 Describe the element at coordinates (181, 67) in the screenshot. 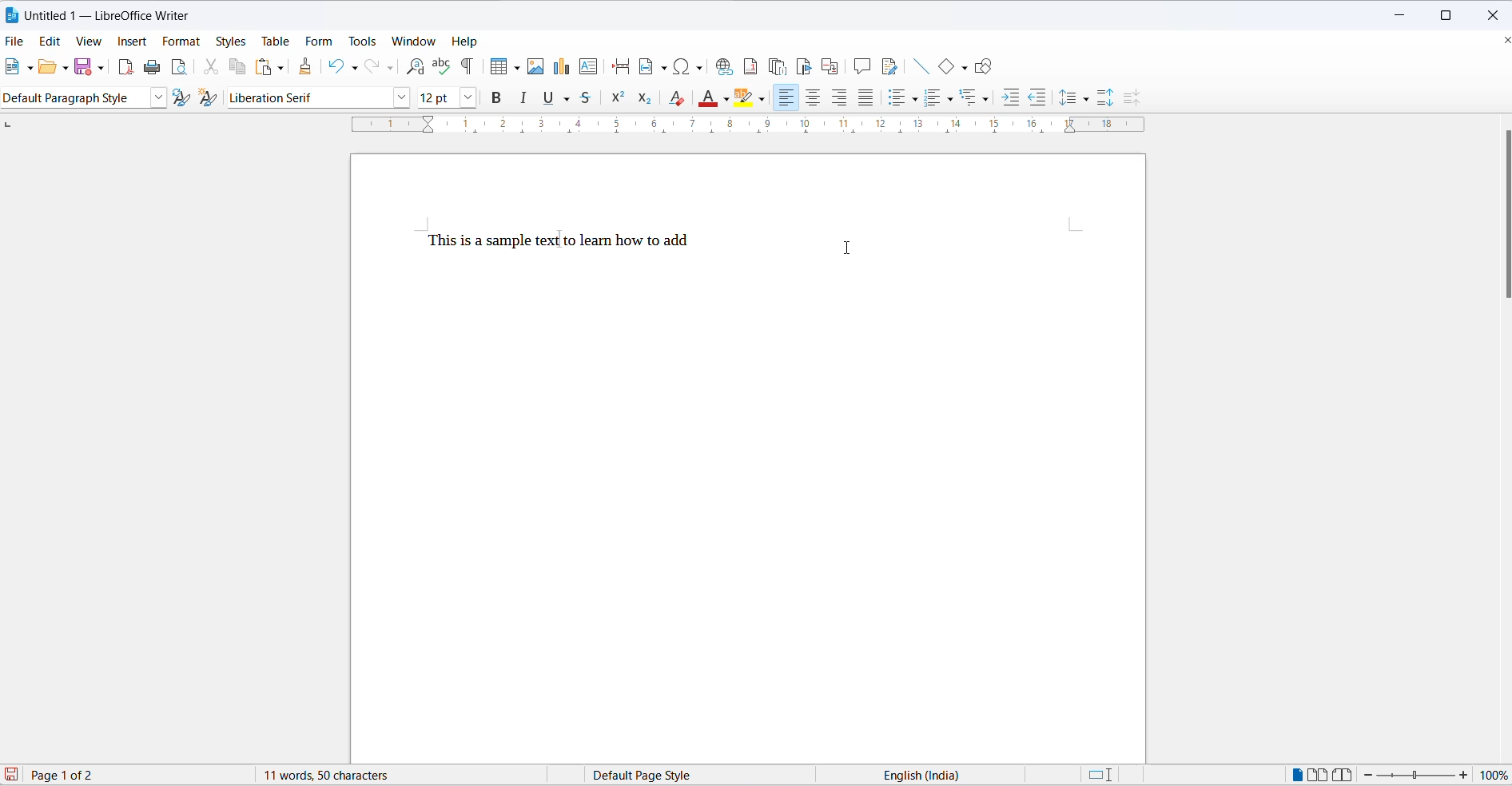

I see `toggle print preview` at that location.